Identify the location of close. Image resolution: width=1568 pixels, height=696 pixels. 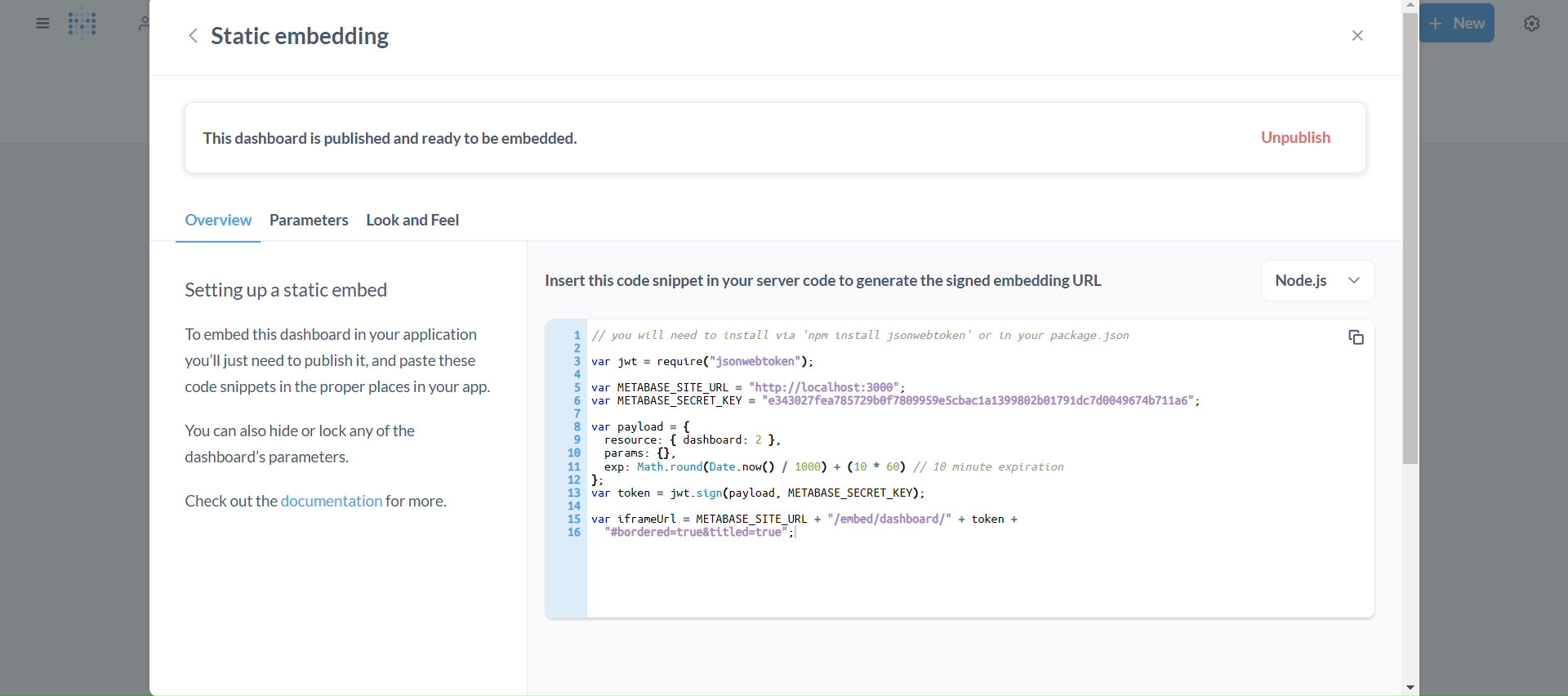
(1356, 35).